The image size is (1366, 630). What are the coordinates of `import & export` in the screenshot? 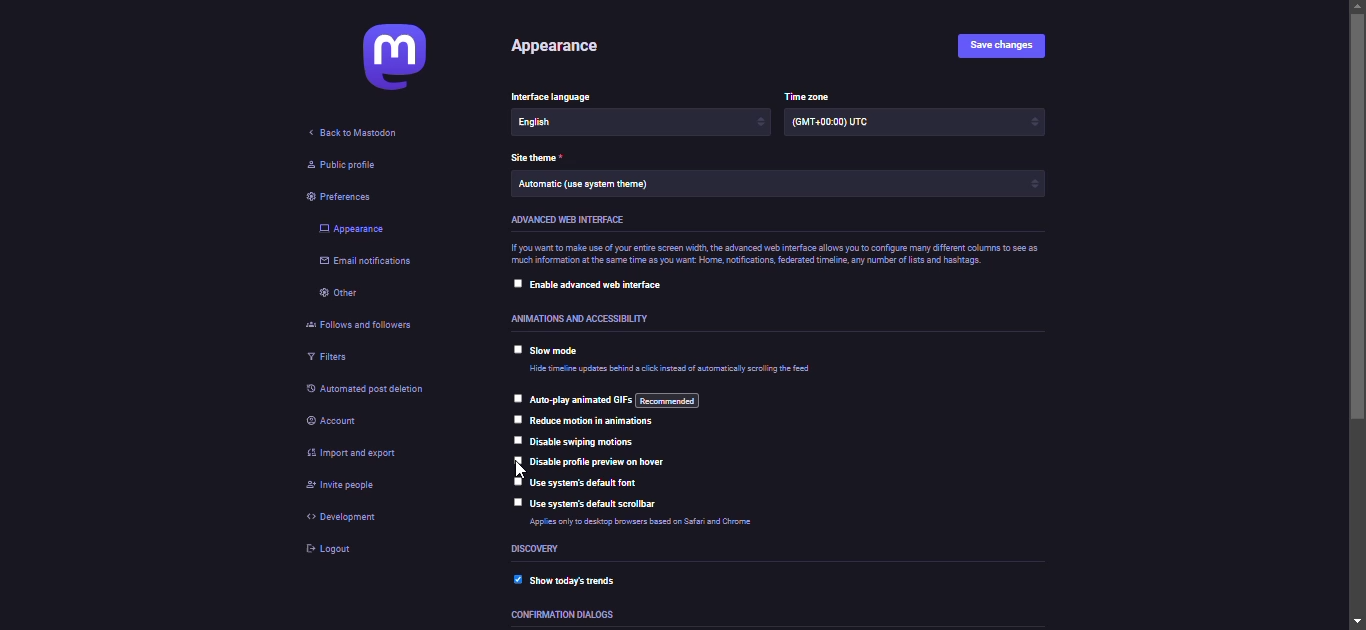 It's located at (375, 455).